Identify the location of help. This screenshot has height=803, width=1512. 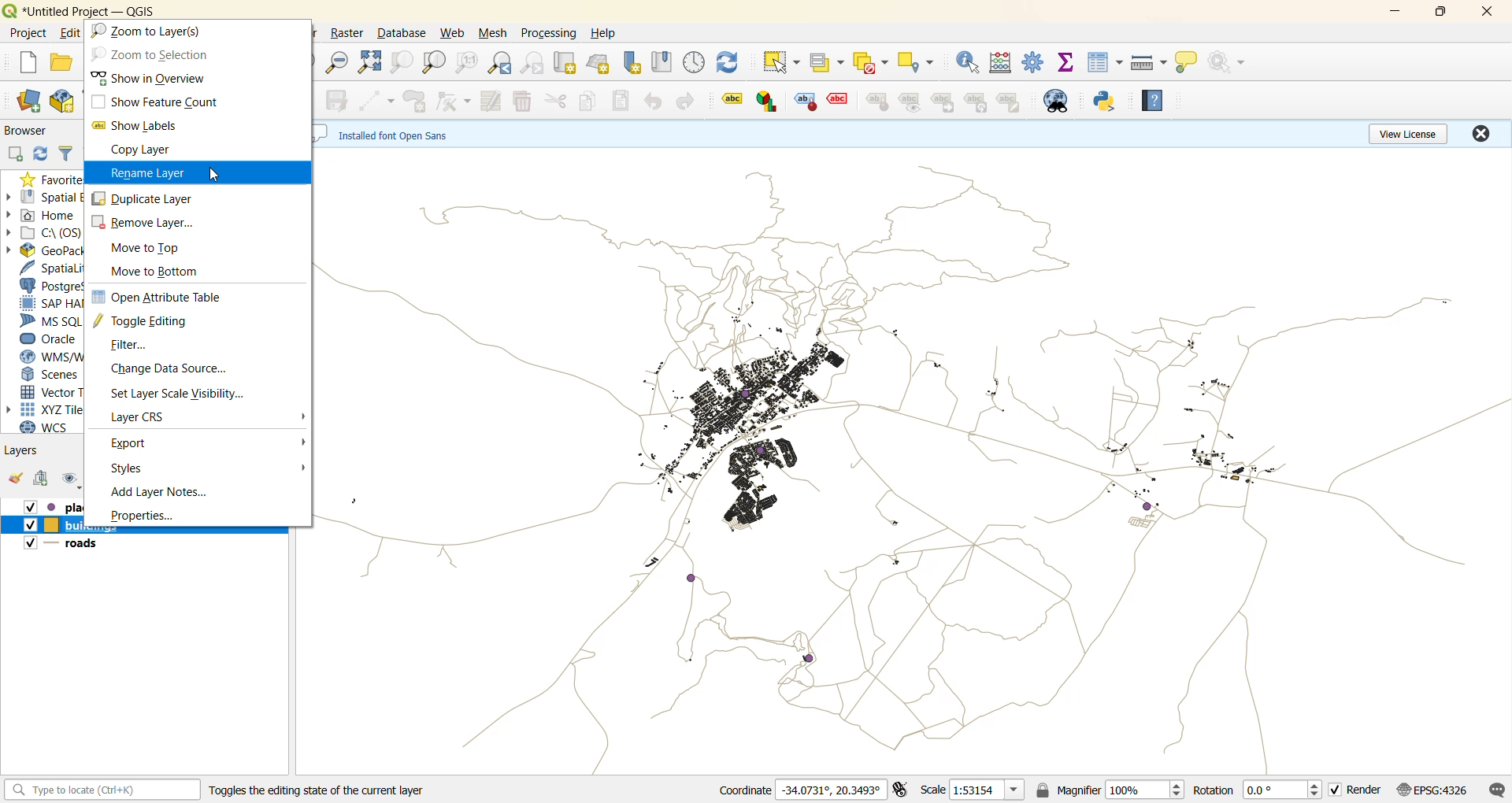
(603, 33).